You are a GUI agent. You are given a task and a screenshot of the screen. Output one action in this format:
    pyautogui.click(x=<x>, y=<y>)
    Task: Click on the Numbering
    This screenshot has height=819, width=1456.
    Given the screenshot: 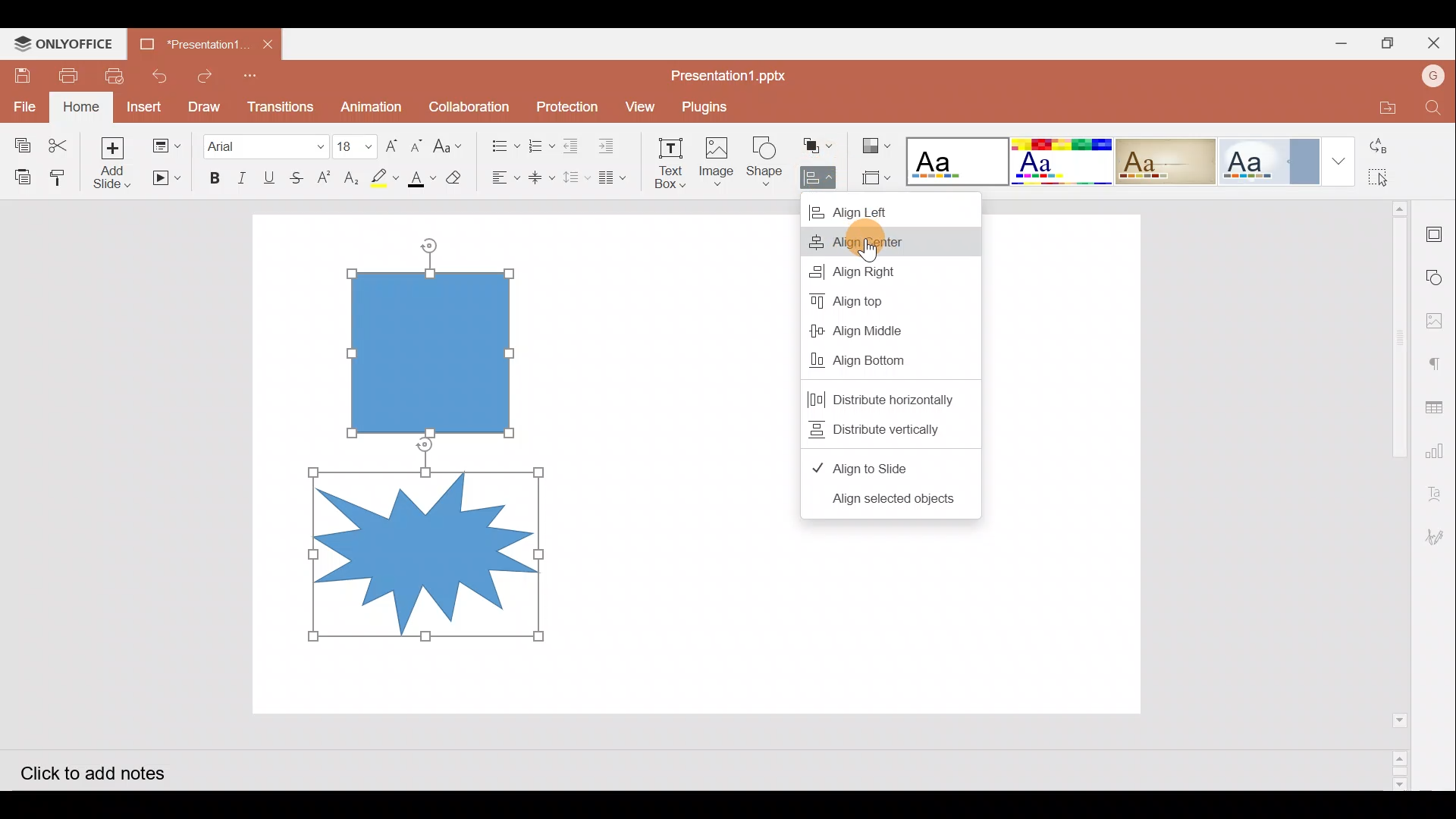 What is the action you would take?
    pyautogui.click(x=537, y=143)
    